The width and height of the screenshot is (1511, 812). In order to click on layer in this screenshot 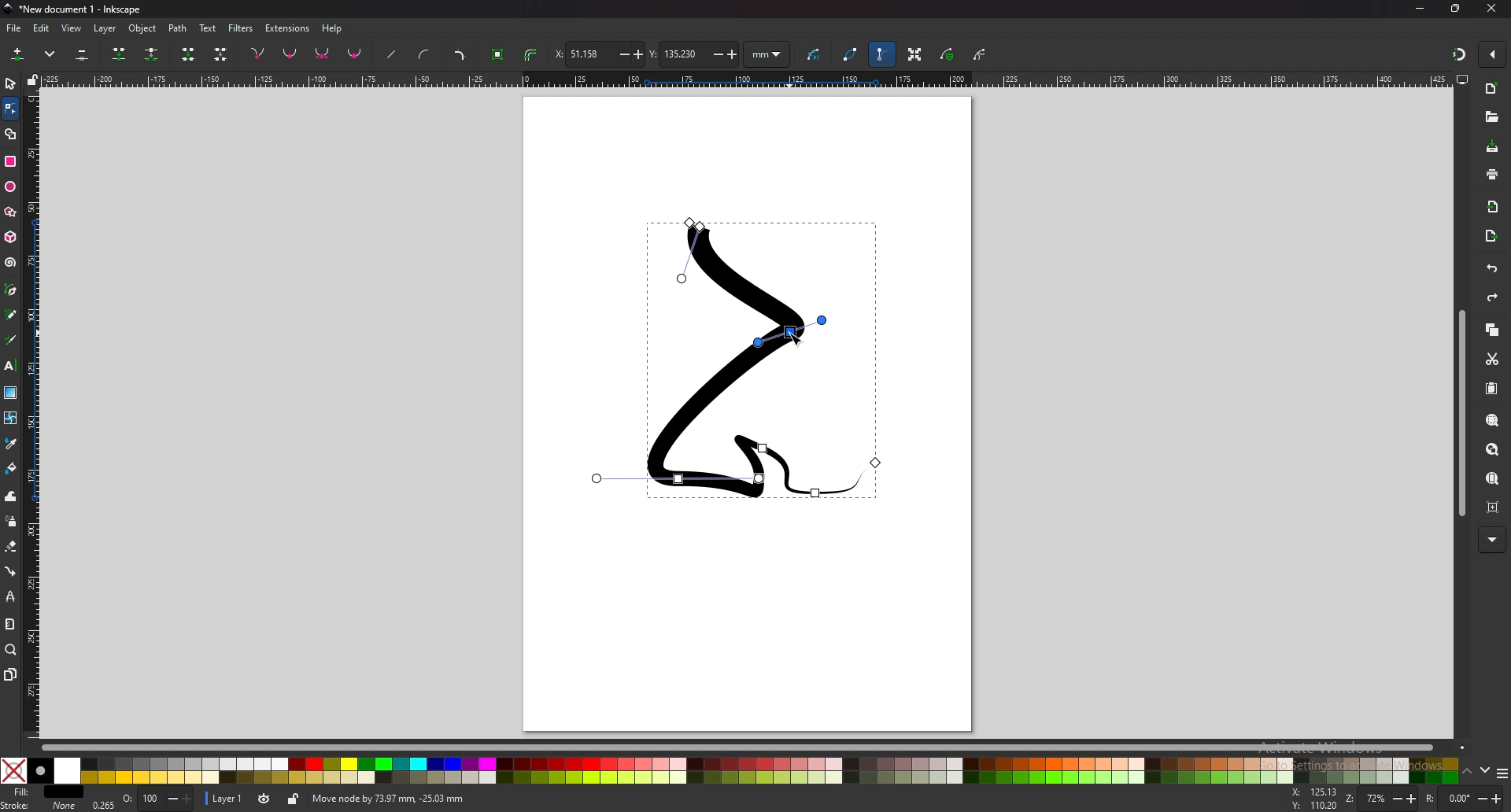, I will do `click(107, 28)`.